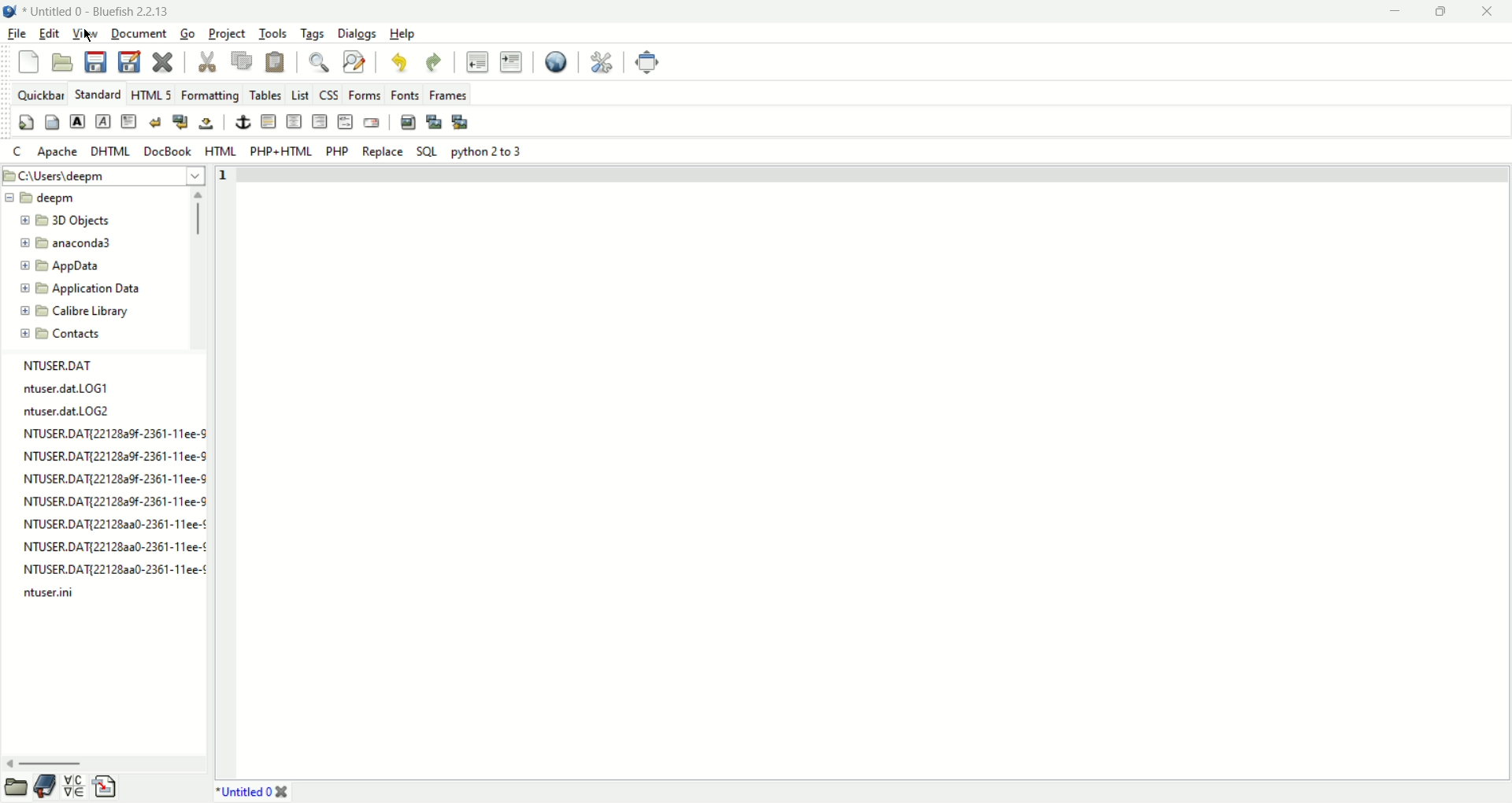 The height and width of the screenshot is (803, 1512). Describe the element at coordinates (138, 34) in the screenshot. I see `document` at that location.